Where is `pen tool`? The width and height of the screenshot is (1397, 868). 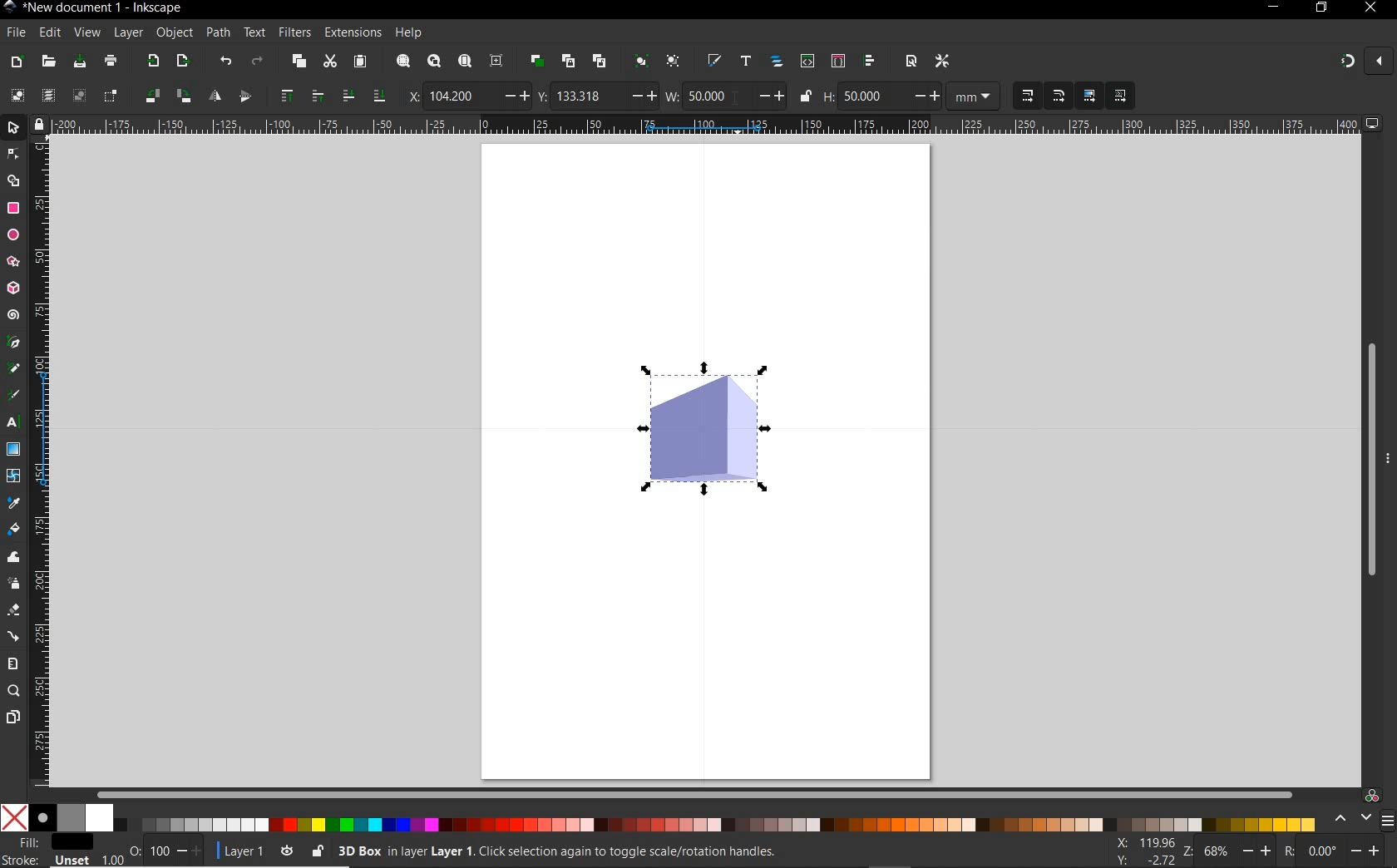 pen tool is located at coordinates (12, 343).